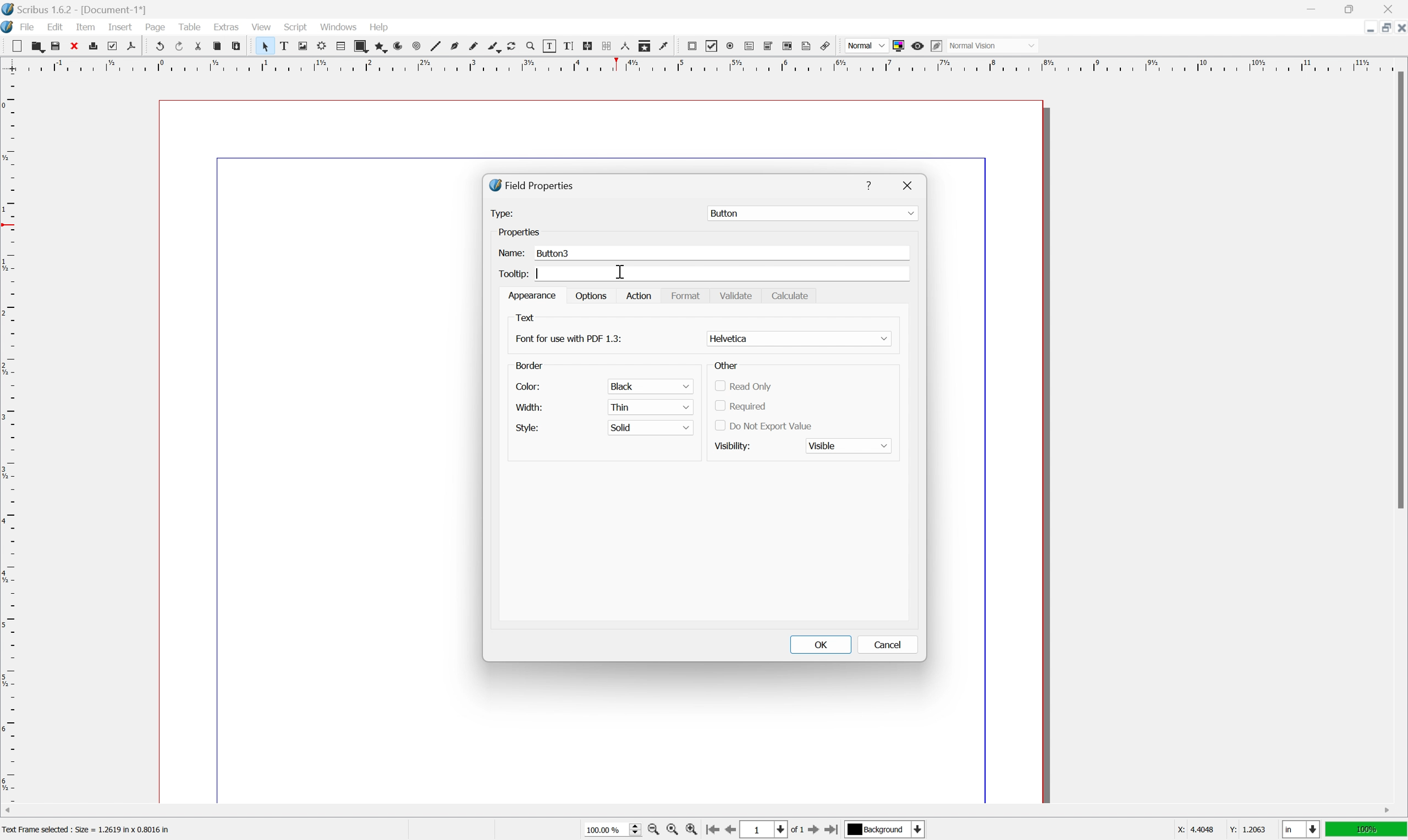  Describe the element at coordinates (645, 46) in the screenshot. I see `copy item properties` at that location.